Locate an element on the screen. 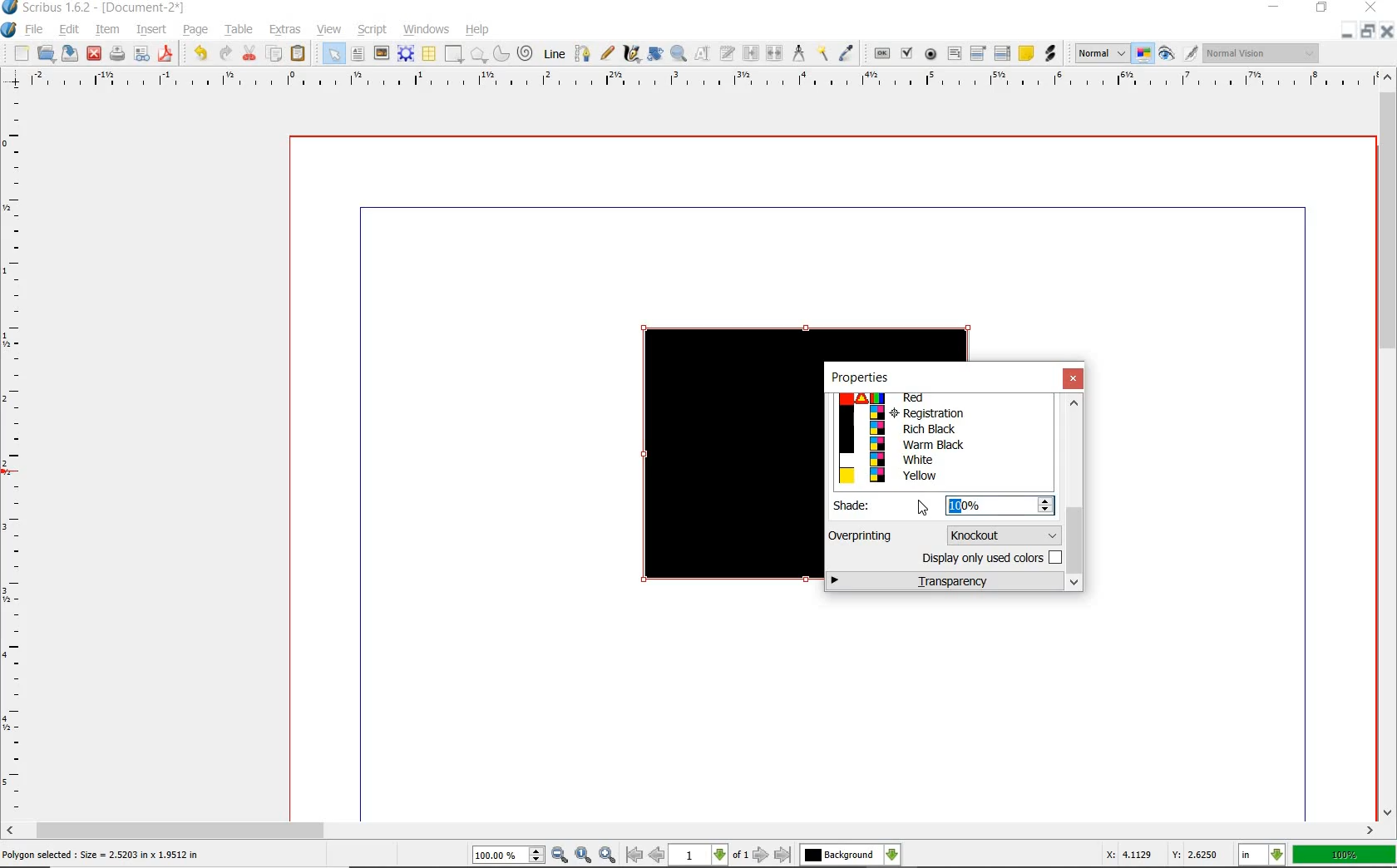  go to first page is located at coordinates (634, 856).